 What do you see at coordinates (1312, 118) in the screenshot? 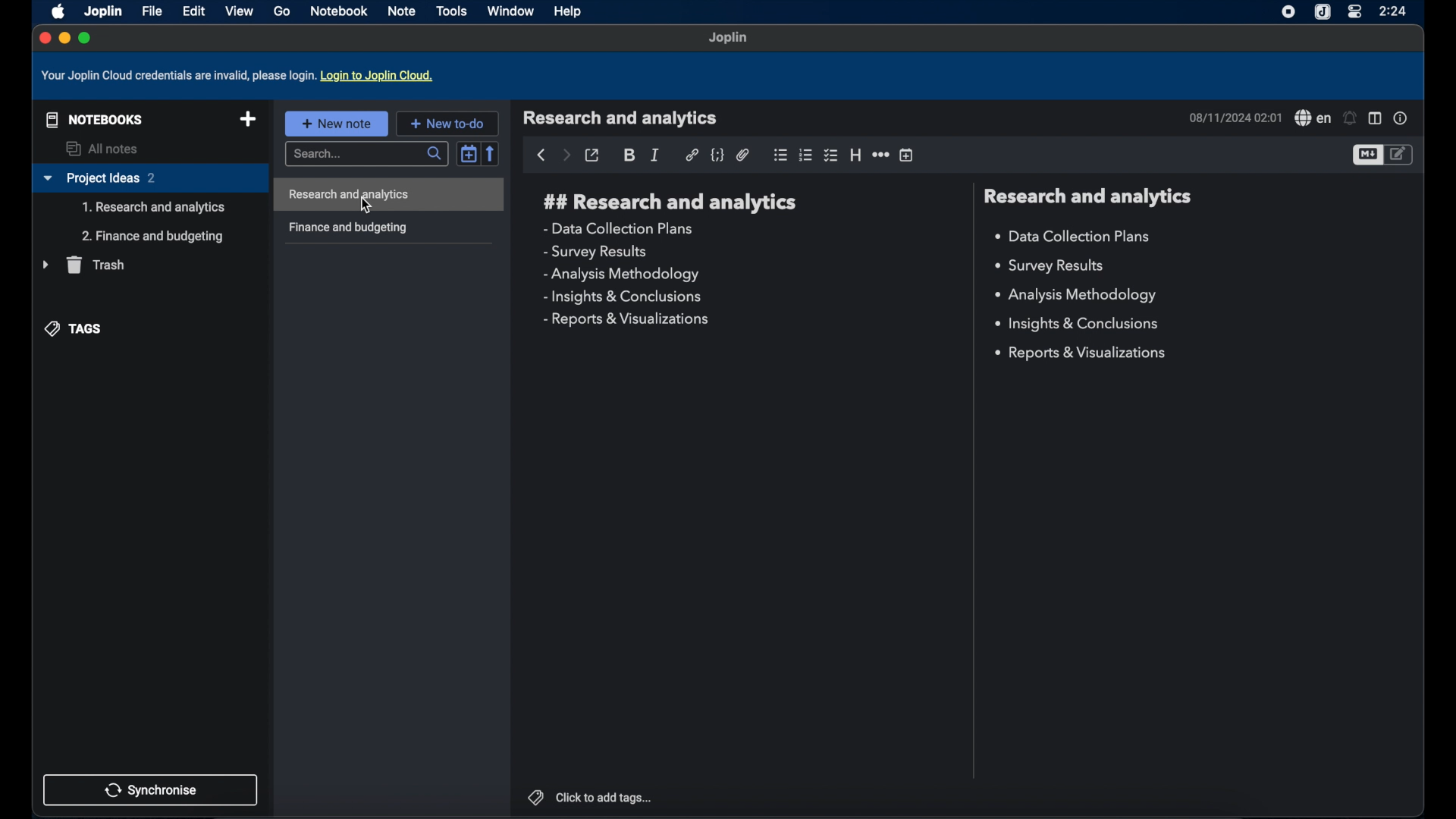
I see `spell check` at bounding box center [1312, 118].